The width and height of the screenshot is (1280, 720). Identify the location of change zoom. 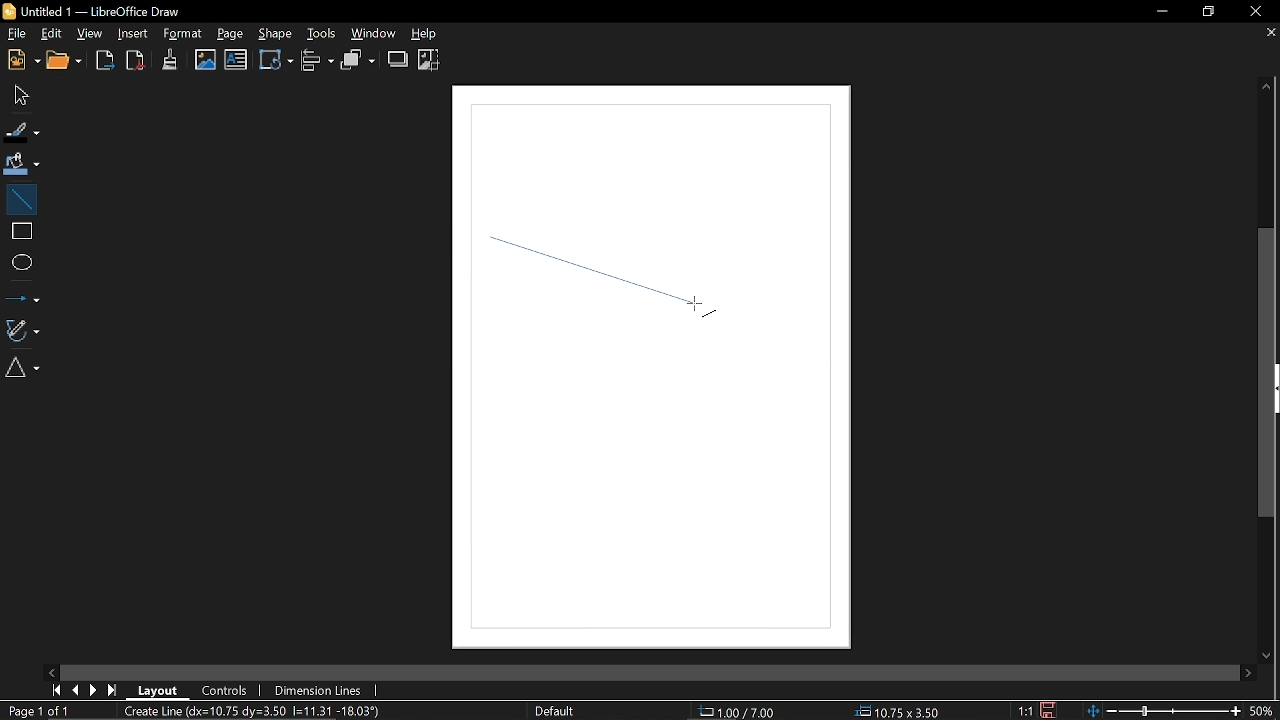
(1164, 711).